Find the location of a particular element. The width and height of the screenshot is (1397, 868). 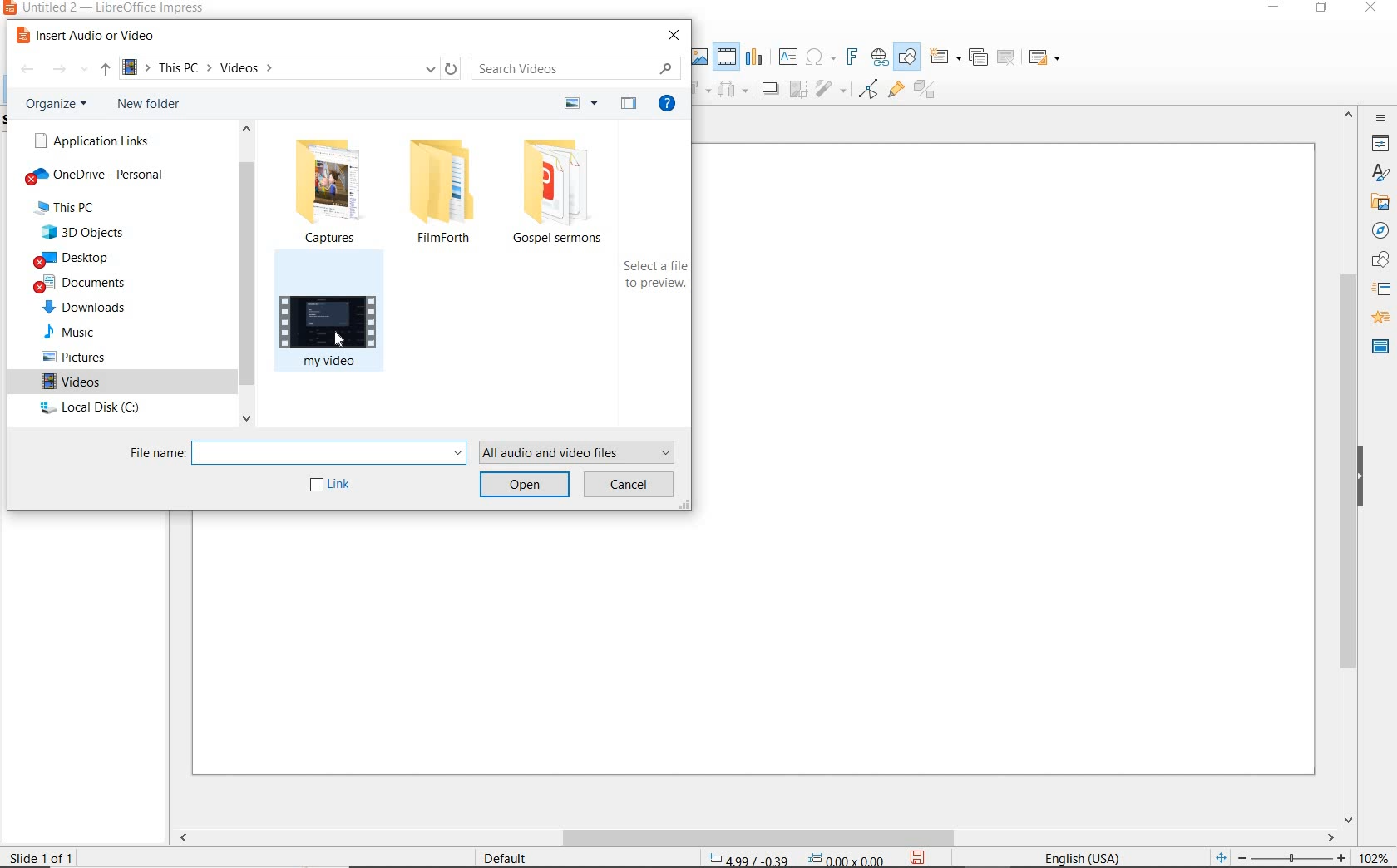

INSERT AUDIO OR VIDEO is located at coordinates (728, 57).